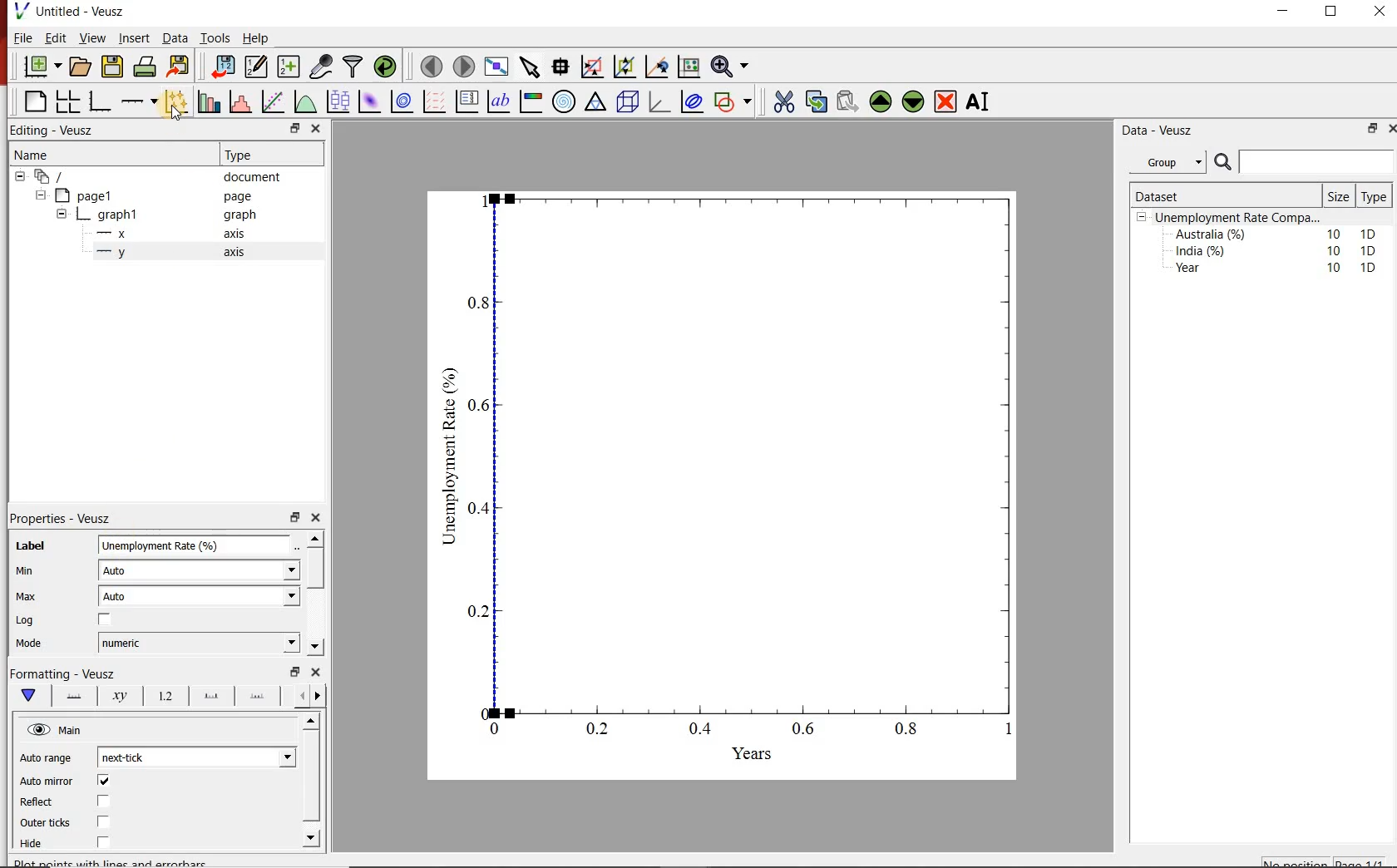 This screenshot has width=1397, height=868. I want to click on Auto mirror, so click(48, 782).